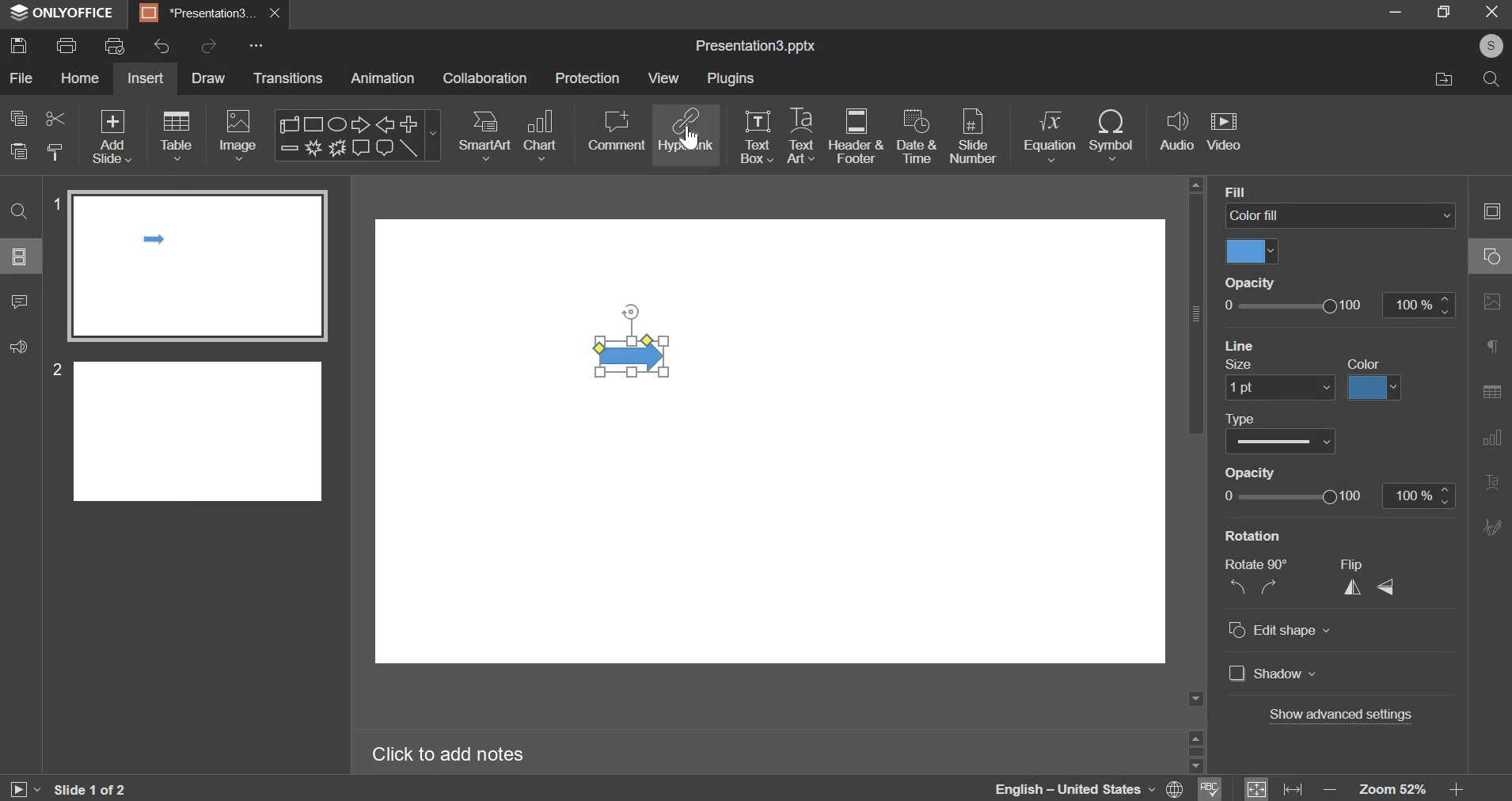  What do you see at coordinates (857, 135) in the screenshot?
I see `header & footer` at bounding box center [857, 135].